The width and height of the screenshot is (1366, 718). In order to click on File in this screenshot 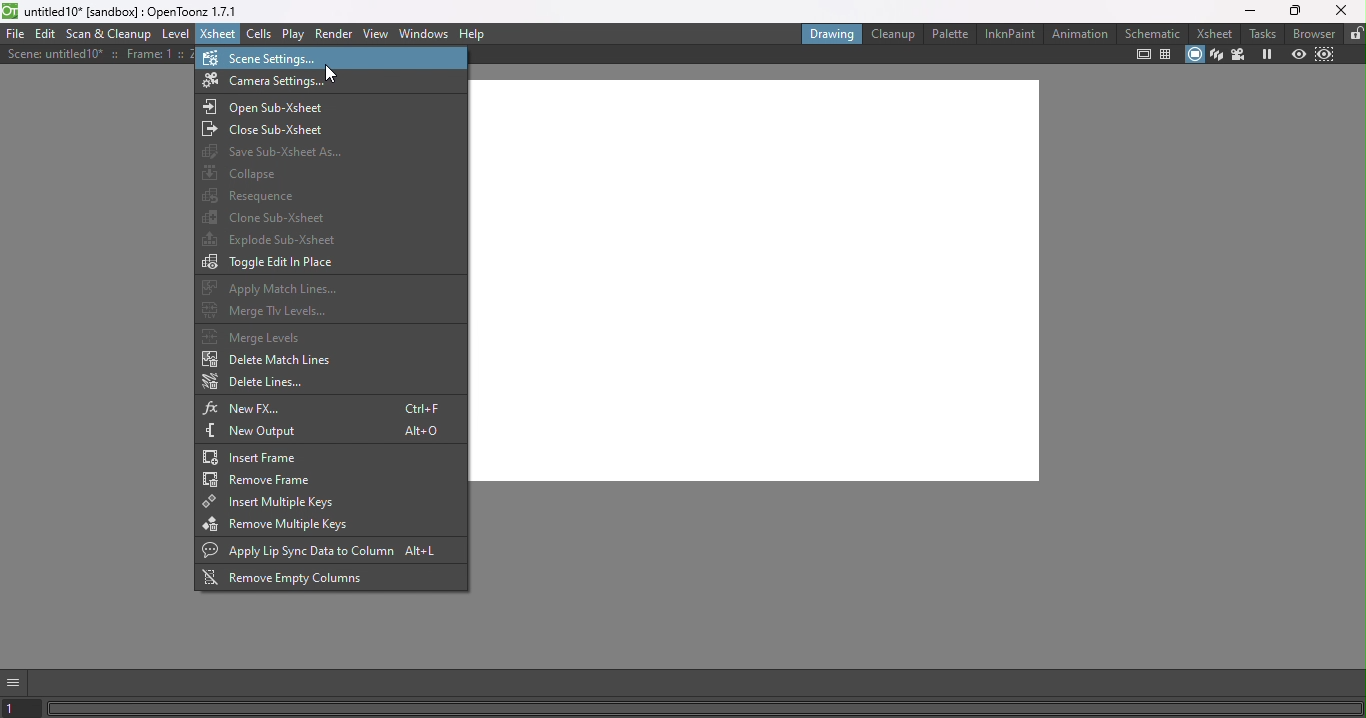, I will do `click(15, 35)`.